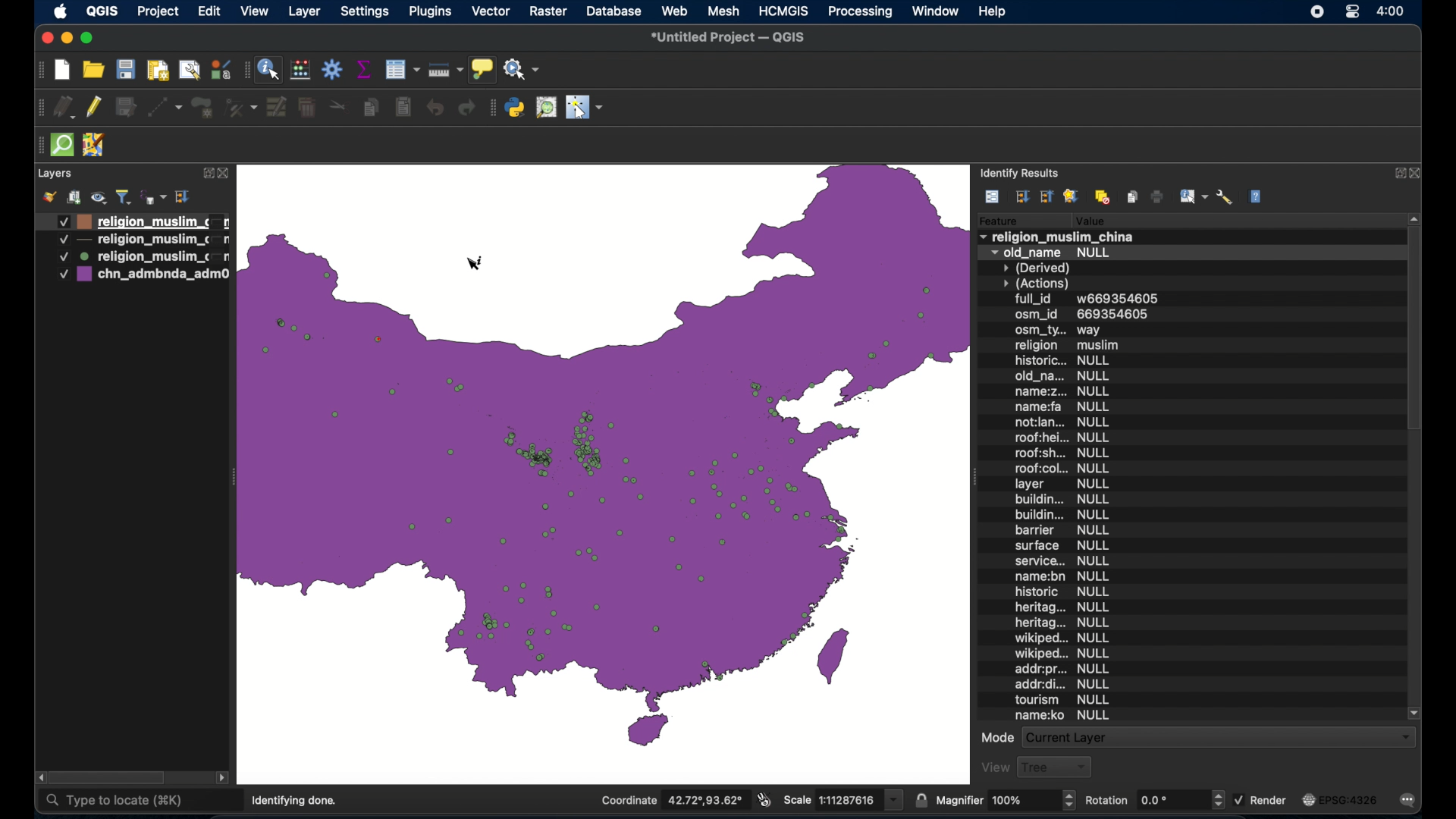 The height and width of the screenshot is (819, 1456). I want to click on addpolygonfeature, so click(202, 108).